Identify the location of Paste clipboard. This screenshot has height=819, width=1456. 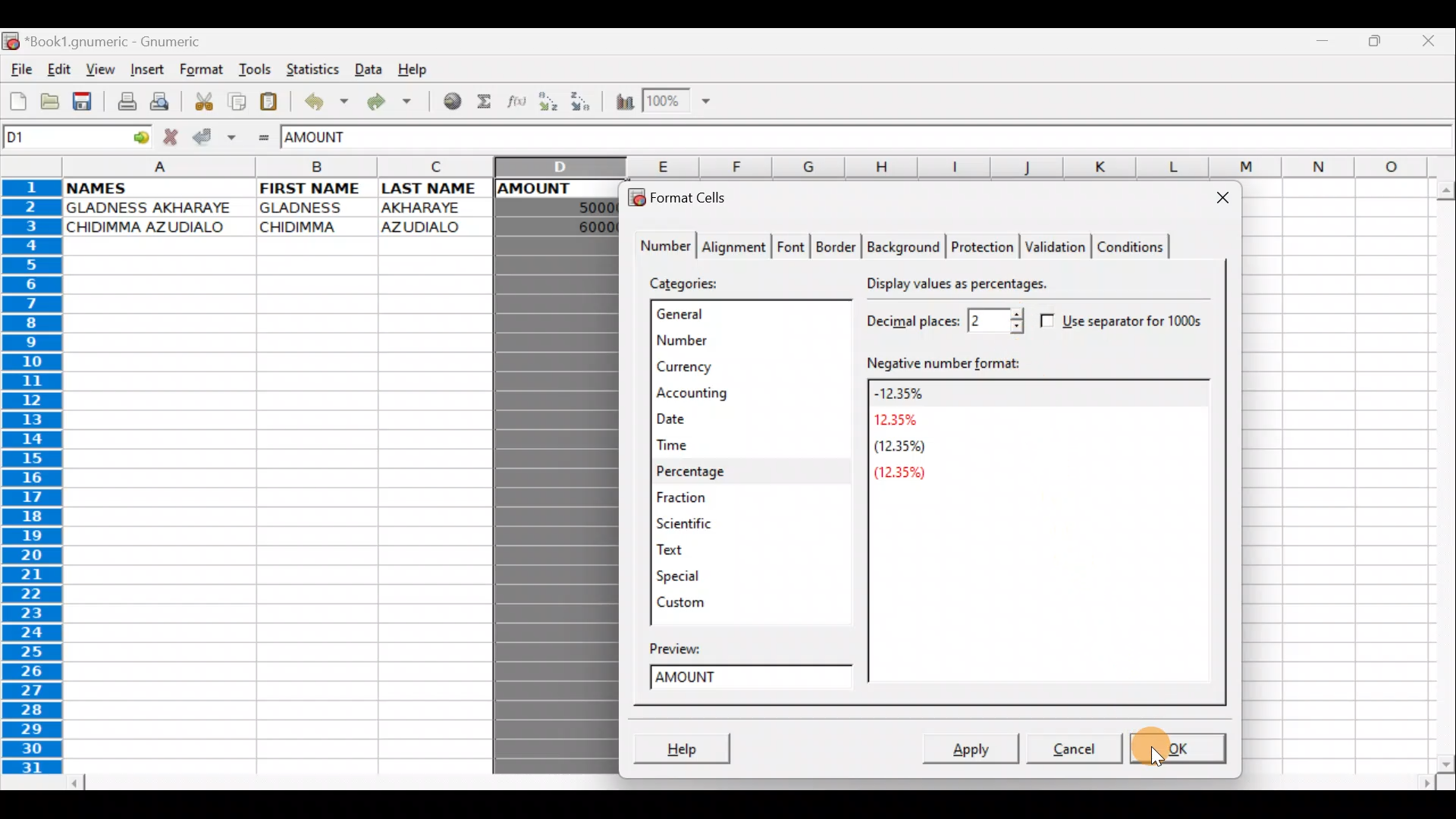
(271, 100).